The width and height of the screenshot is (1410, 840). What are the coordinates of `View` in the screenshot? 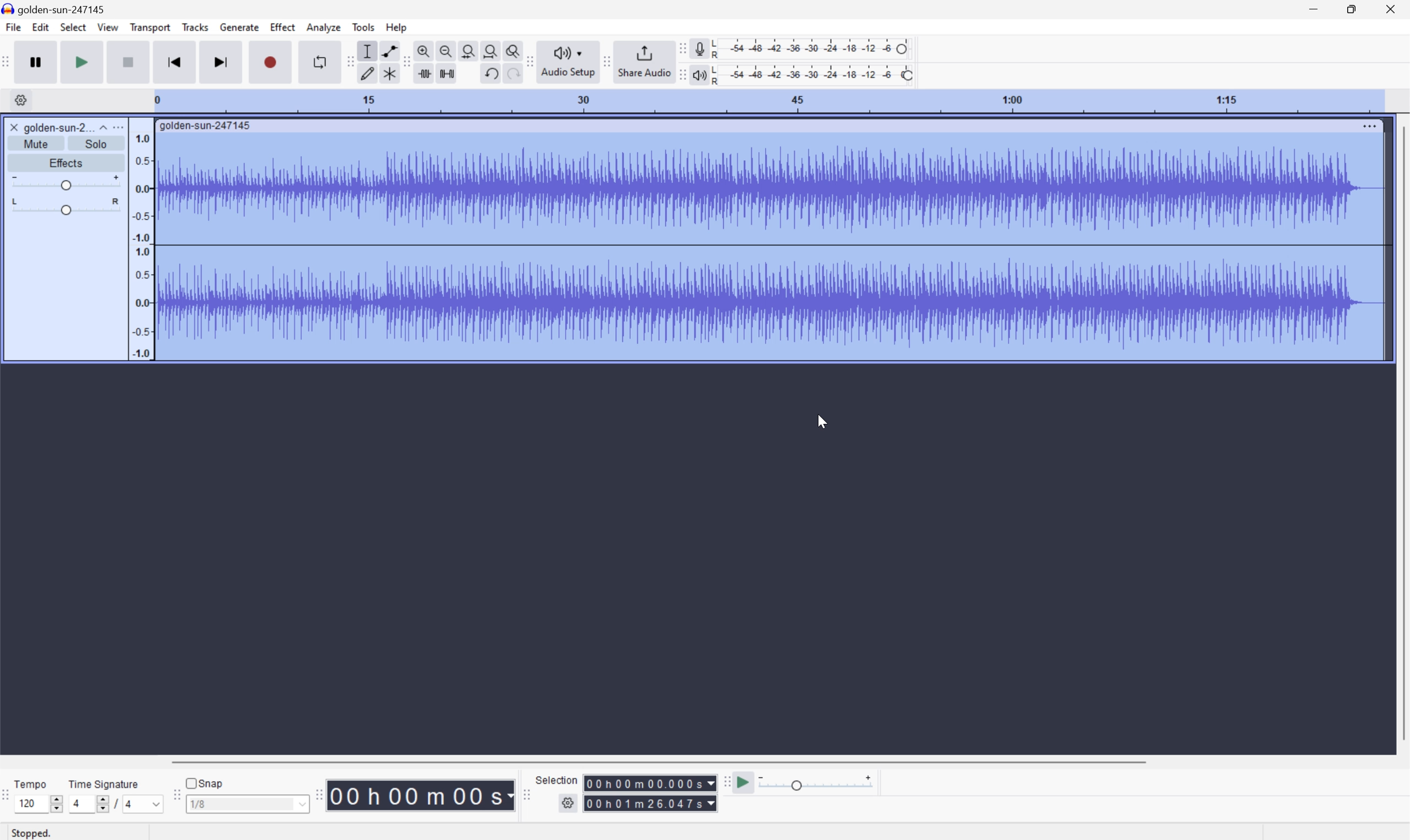 It's located at (109, 28).